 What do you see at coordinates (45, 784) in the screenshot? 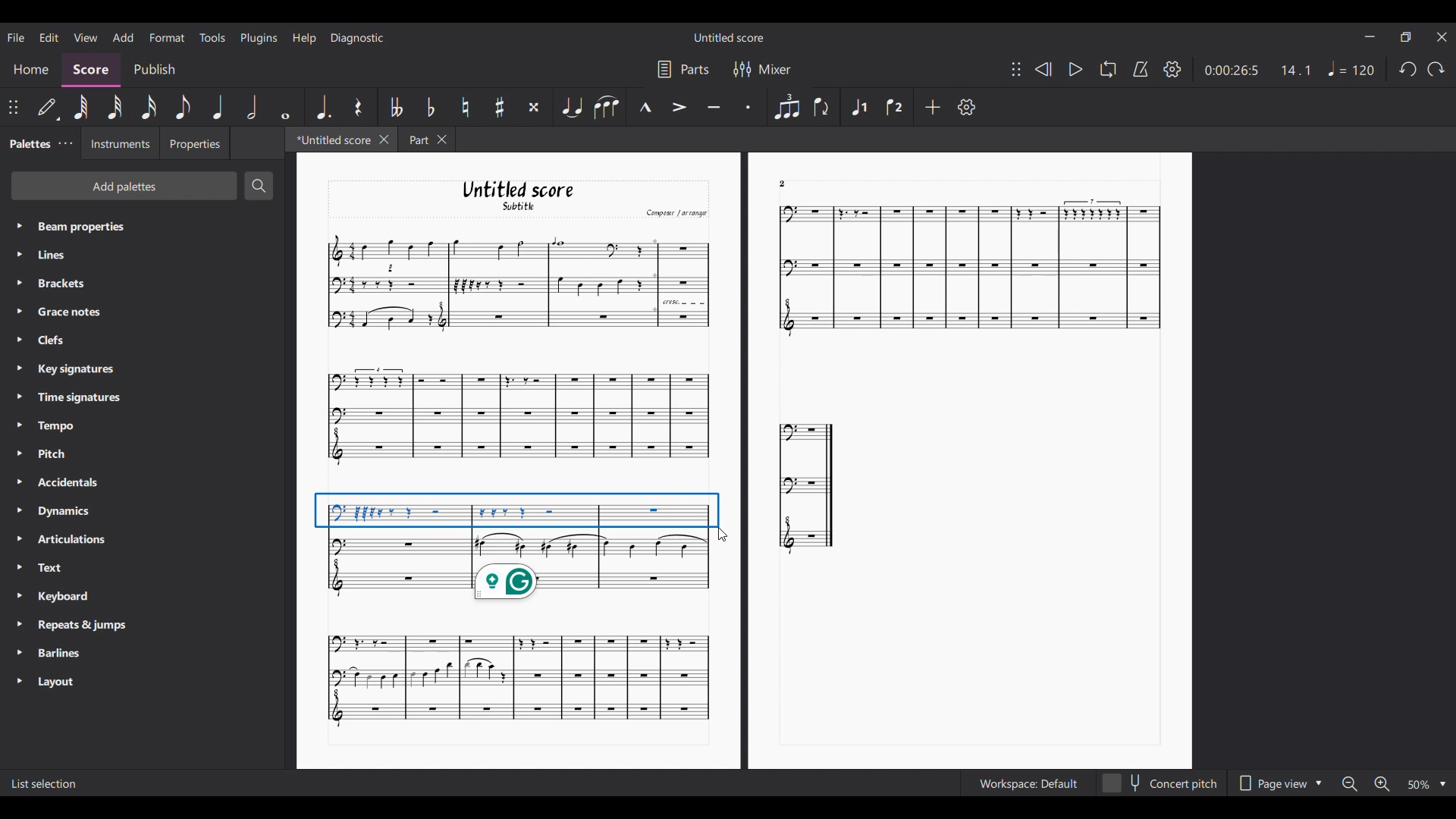
I see `List selection` at bounding box center [45, 784].